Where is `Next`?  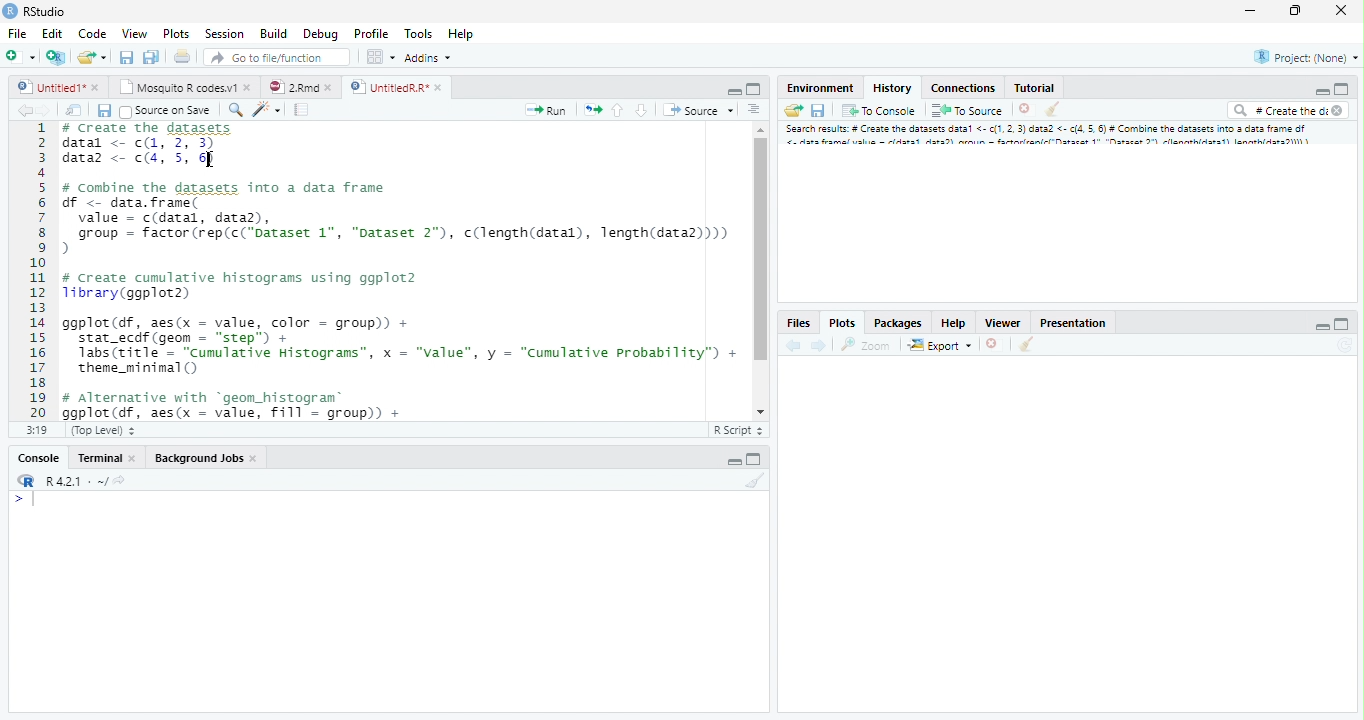 Next is located at coordinates (818, 347).